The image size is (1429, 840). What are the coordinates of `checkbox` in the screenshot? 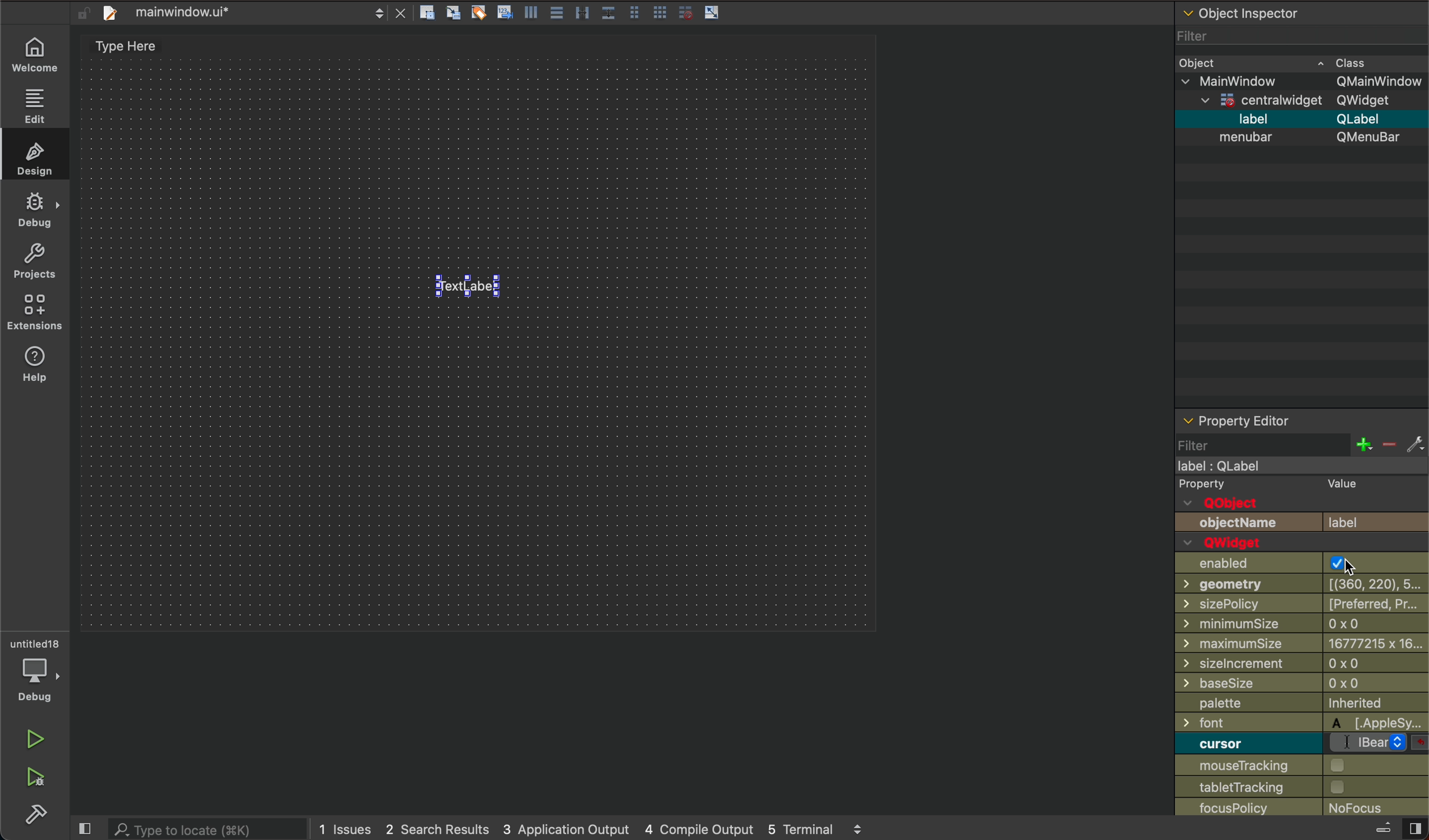 It's located at (1347, 766).